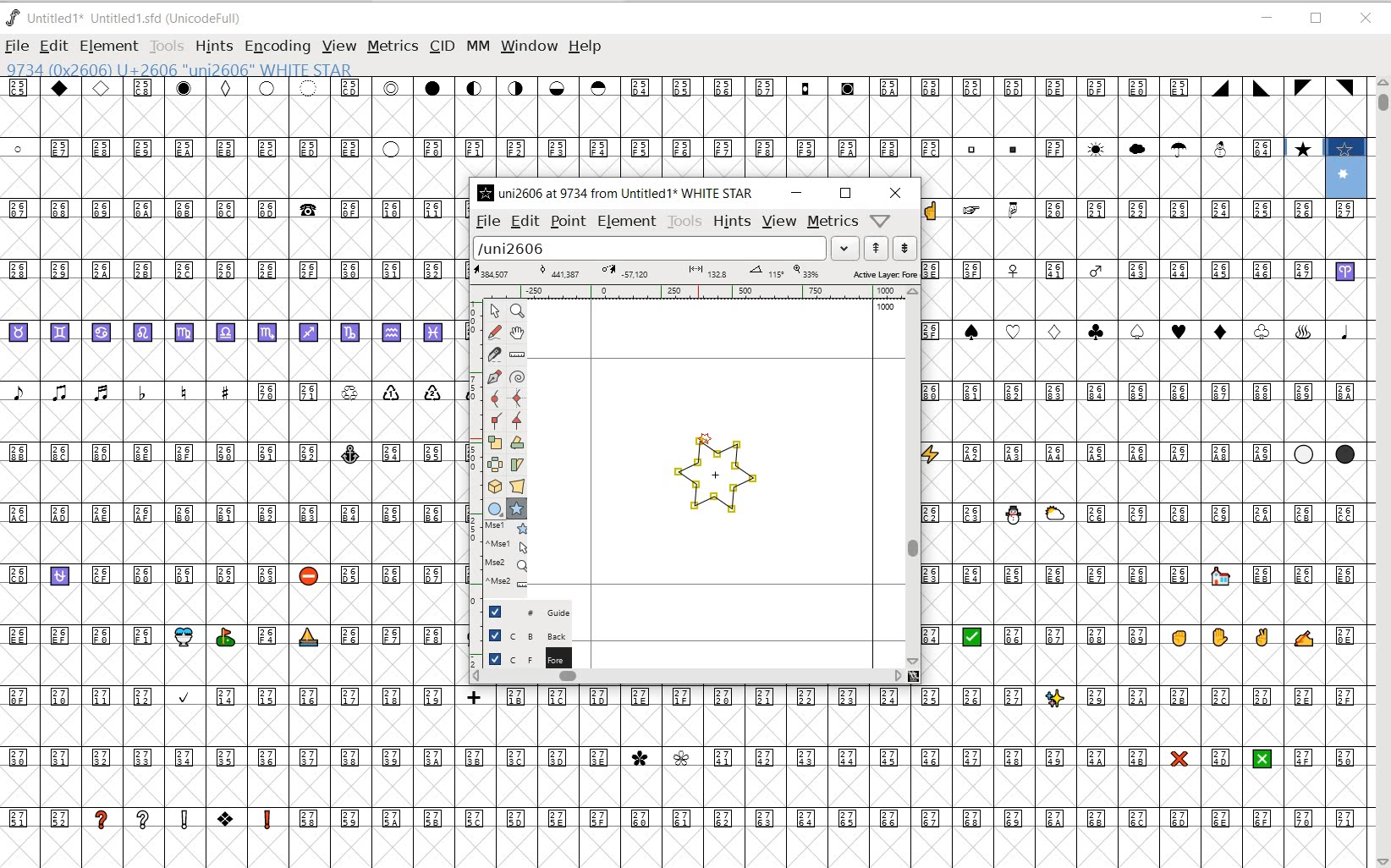 This screenshot has height=868, width=1391. I want to click on BACKGROUND, so click(521, 635).